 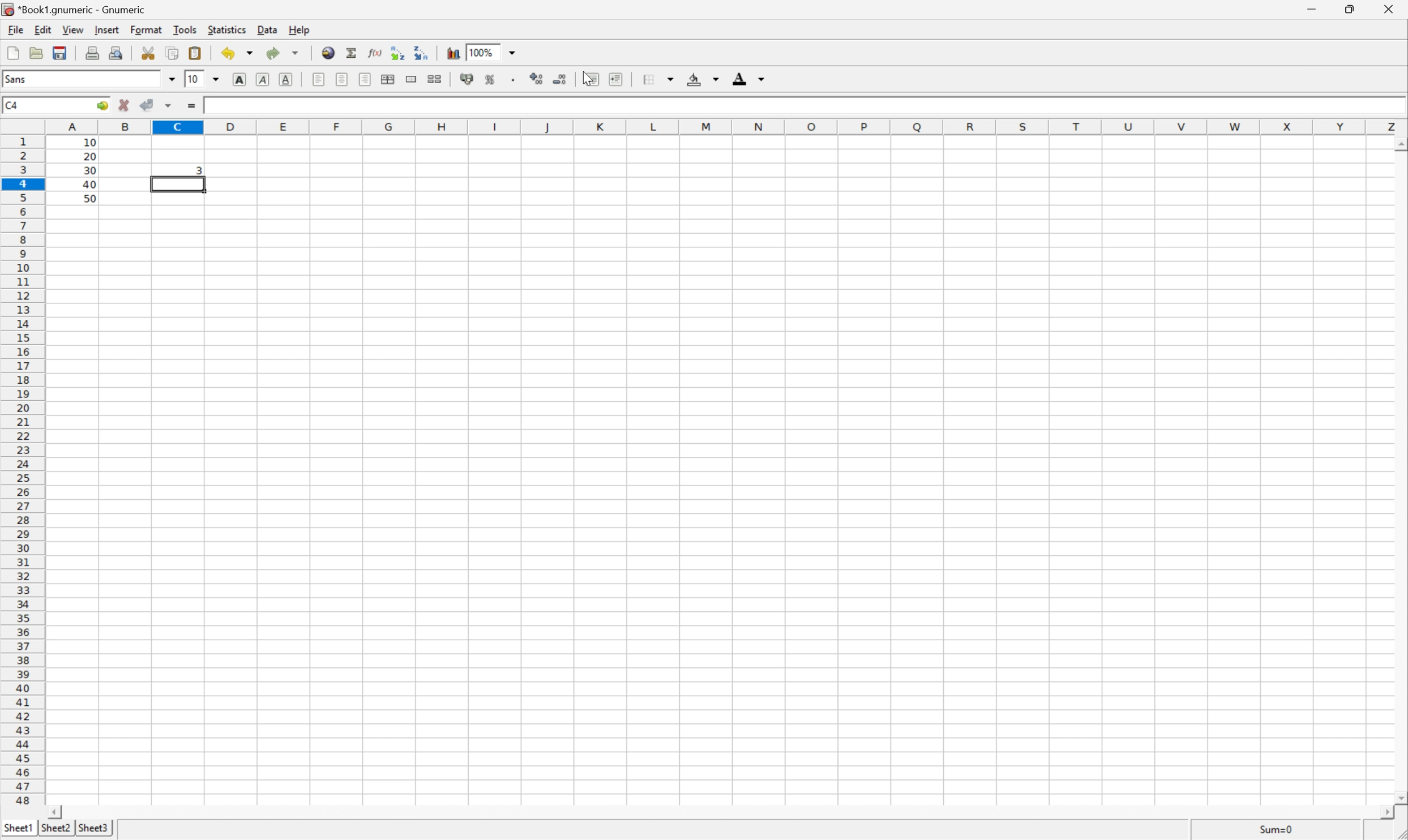 What do you see at coordinates (423, 53) in the screenshot?
I see `Sort the selected region in descending order based on the first column selected` at bounding box center [423, 53].